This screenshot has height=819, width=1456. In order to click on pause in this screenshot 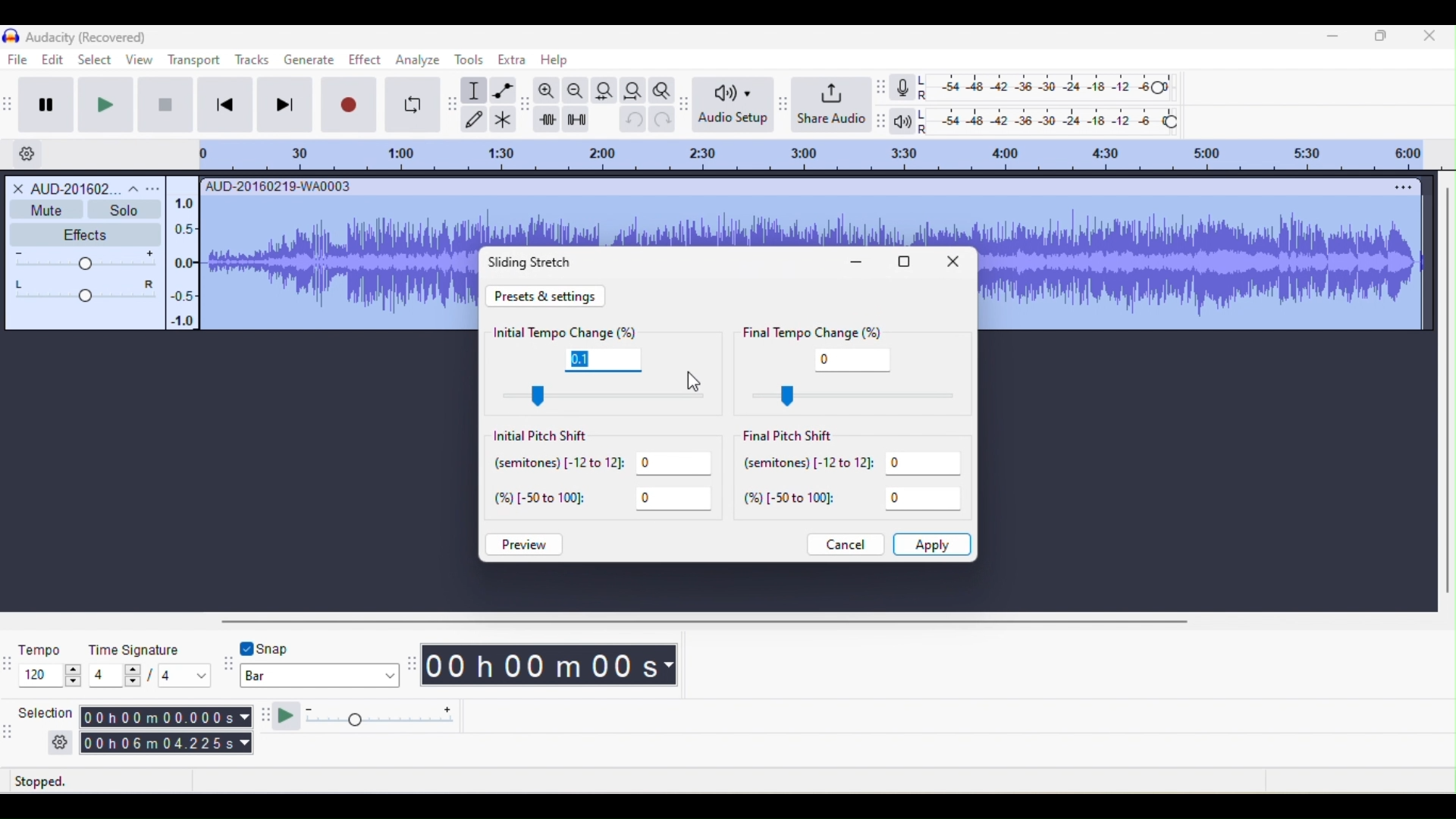, I will do `click(51, 102)`.